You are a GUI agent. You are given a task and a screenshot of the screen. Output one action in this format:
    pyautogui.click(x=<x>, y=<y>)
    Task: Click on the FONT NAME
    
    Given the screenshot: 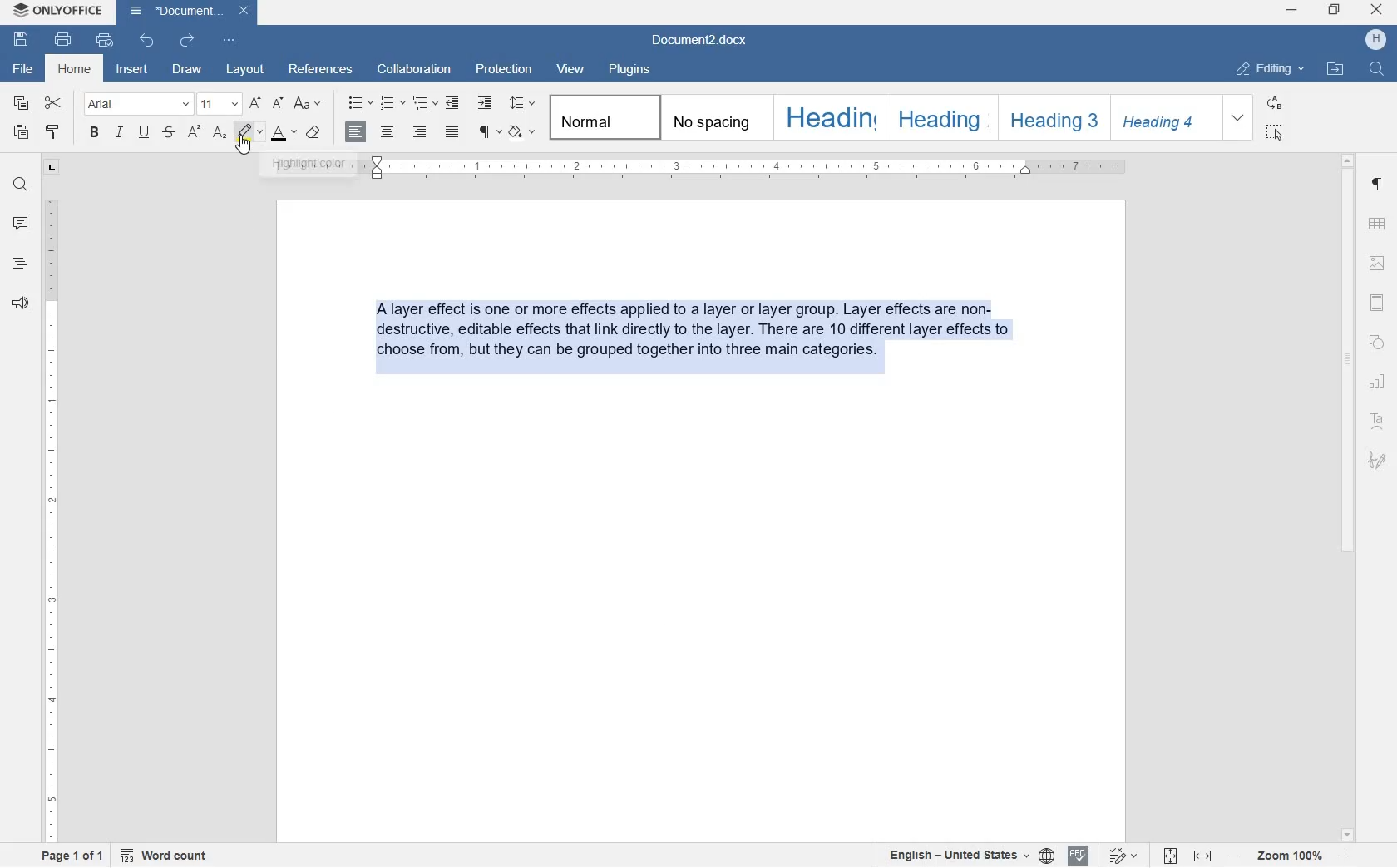 What is the action you would take?
    pyautogui.click(x=134, y=105)
    